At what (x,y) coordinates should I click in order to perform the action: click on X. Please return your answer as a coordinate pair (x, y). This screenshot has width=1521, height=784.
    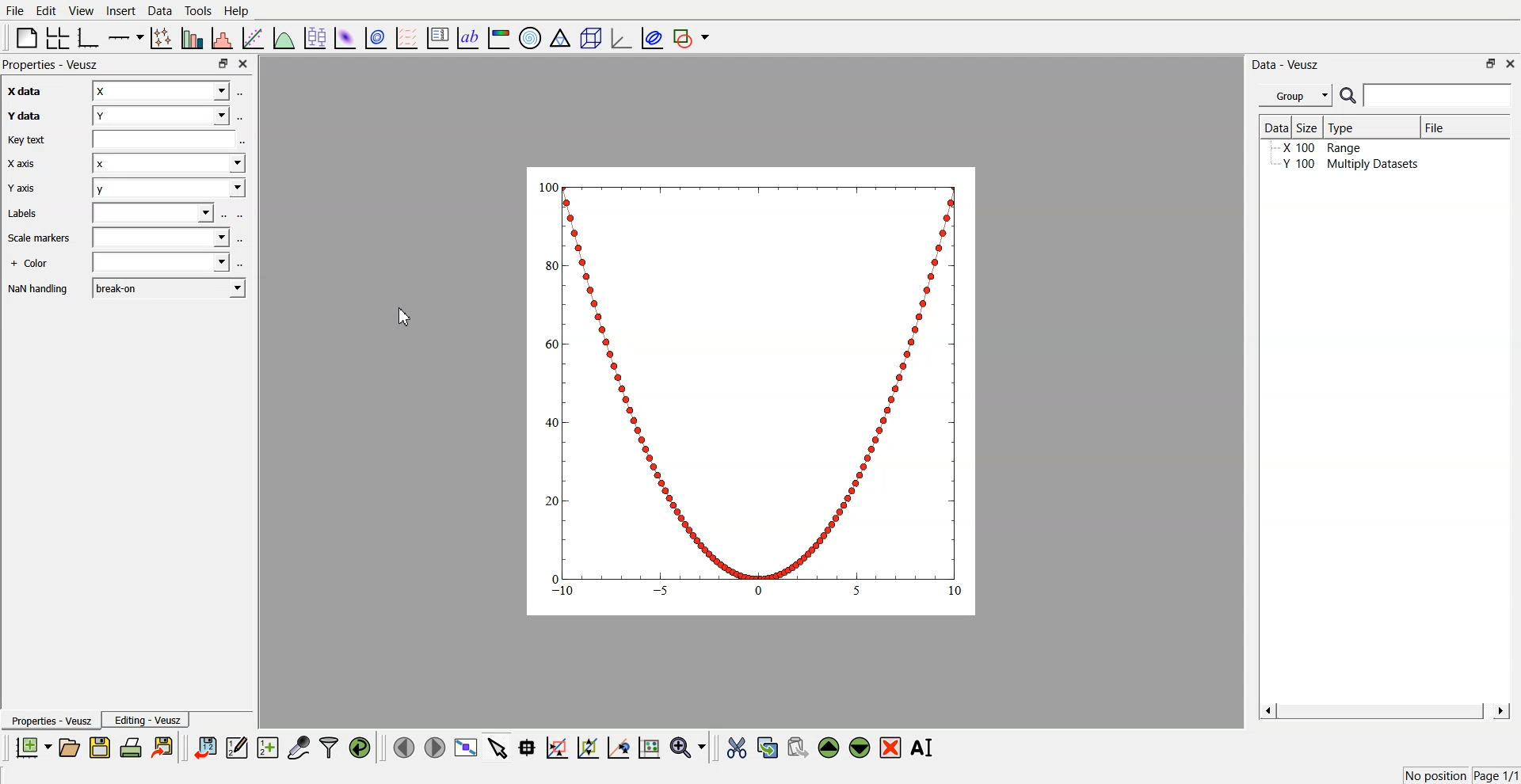
    Looking at the image, I should click on (167, 163).